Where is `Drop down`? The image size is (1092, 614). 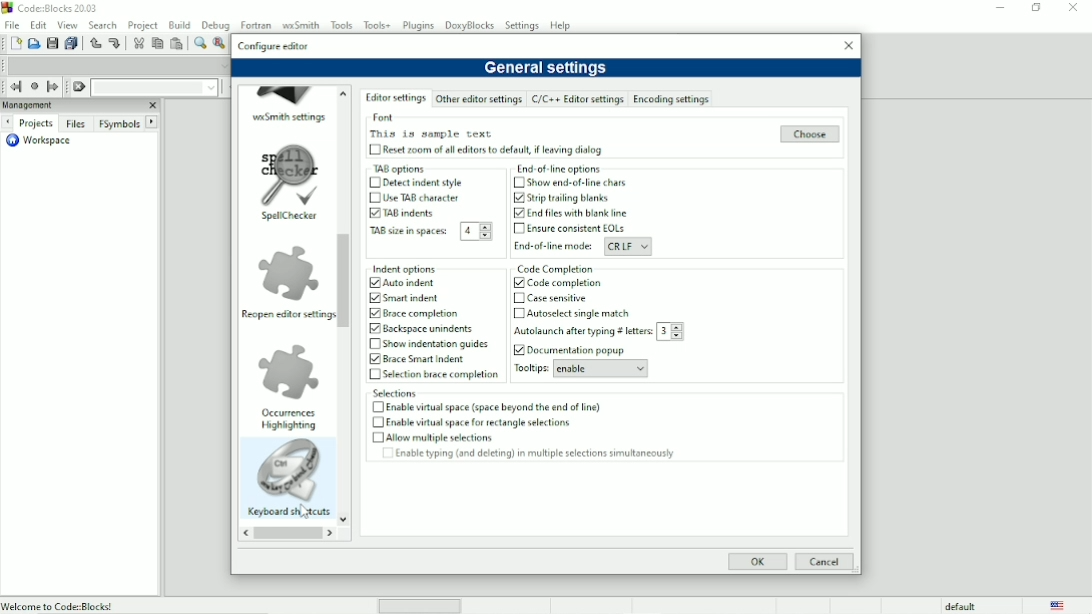 Drop down is located at coordinates (210, 88).